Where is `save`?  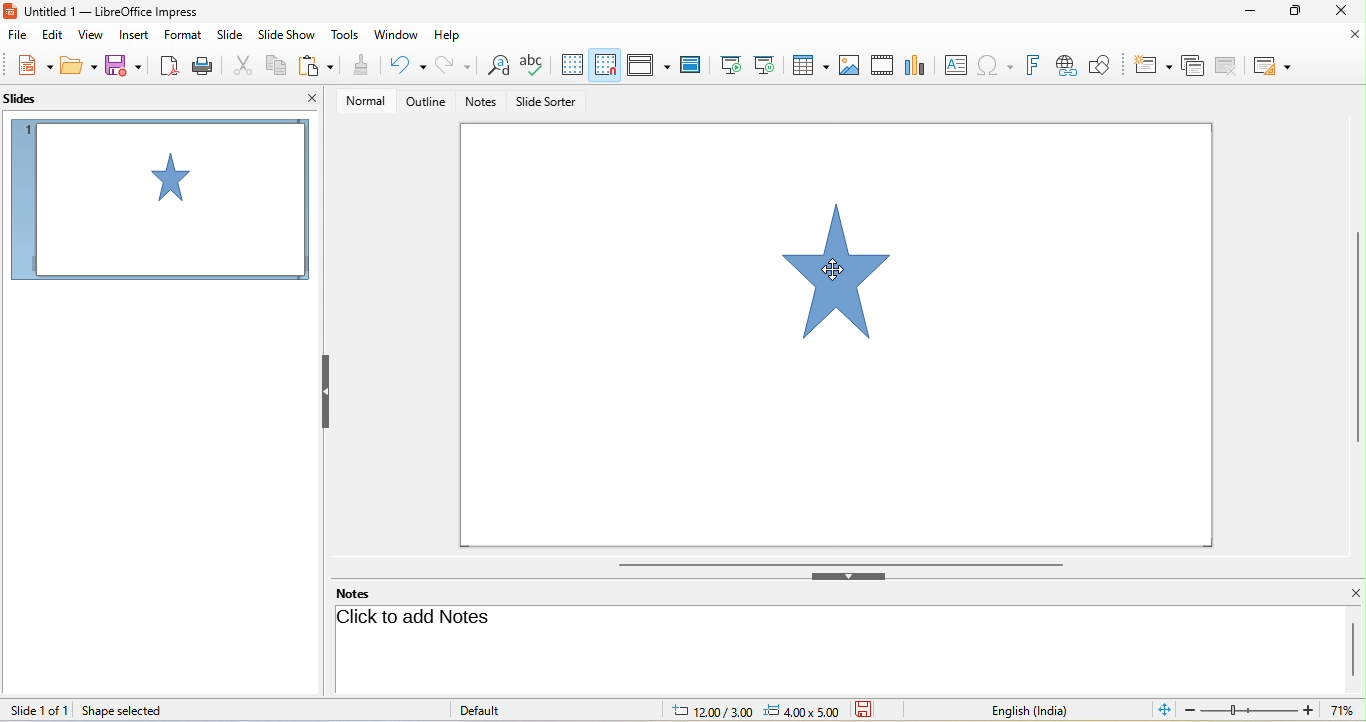 save is located at coordinates (123, 66).